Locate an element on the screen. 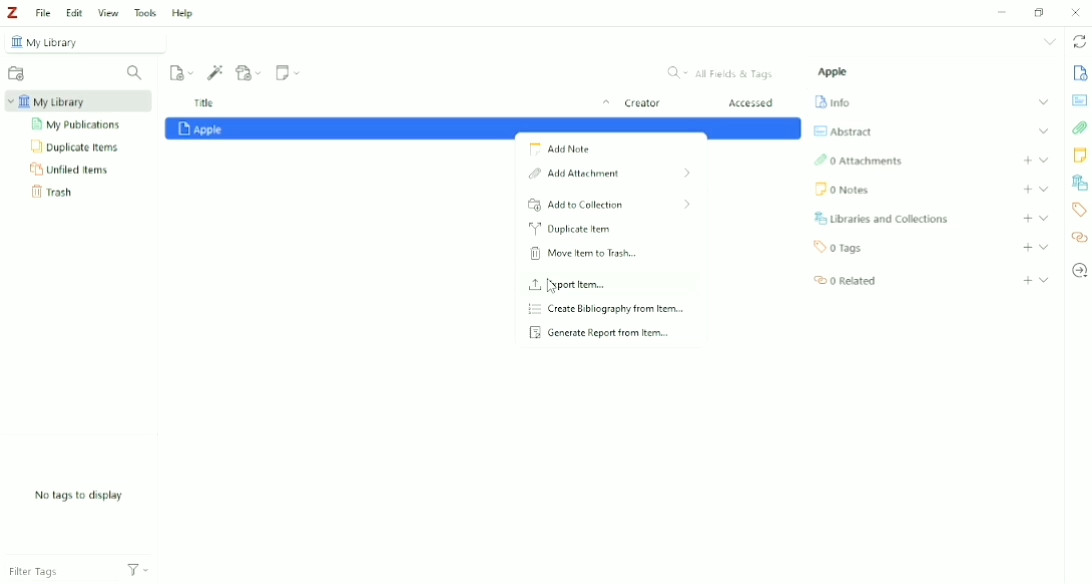 This screenshot has height=584, width=1092. Creator is located at coordinates (642, 105).